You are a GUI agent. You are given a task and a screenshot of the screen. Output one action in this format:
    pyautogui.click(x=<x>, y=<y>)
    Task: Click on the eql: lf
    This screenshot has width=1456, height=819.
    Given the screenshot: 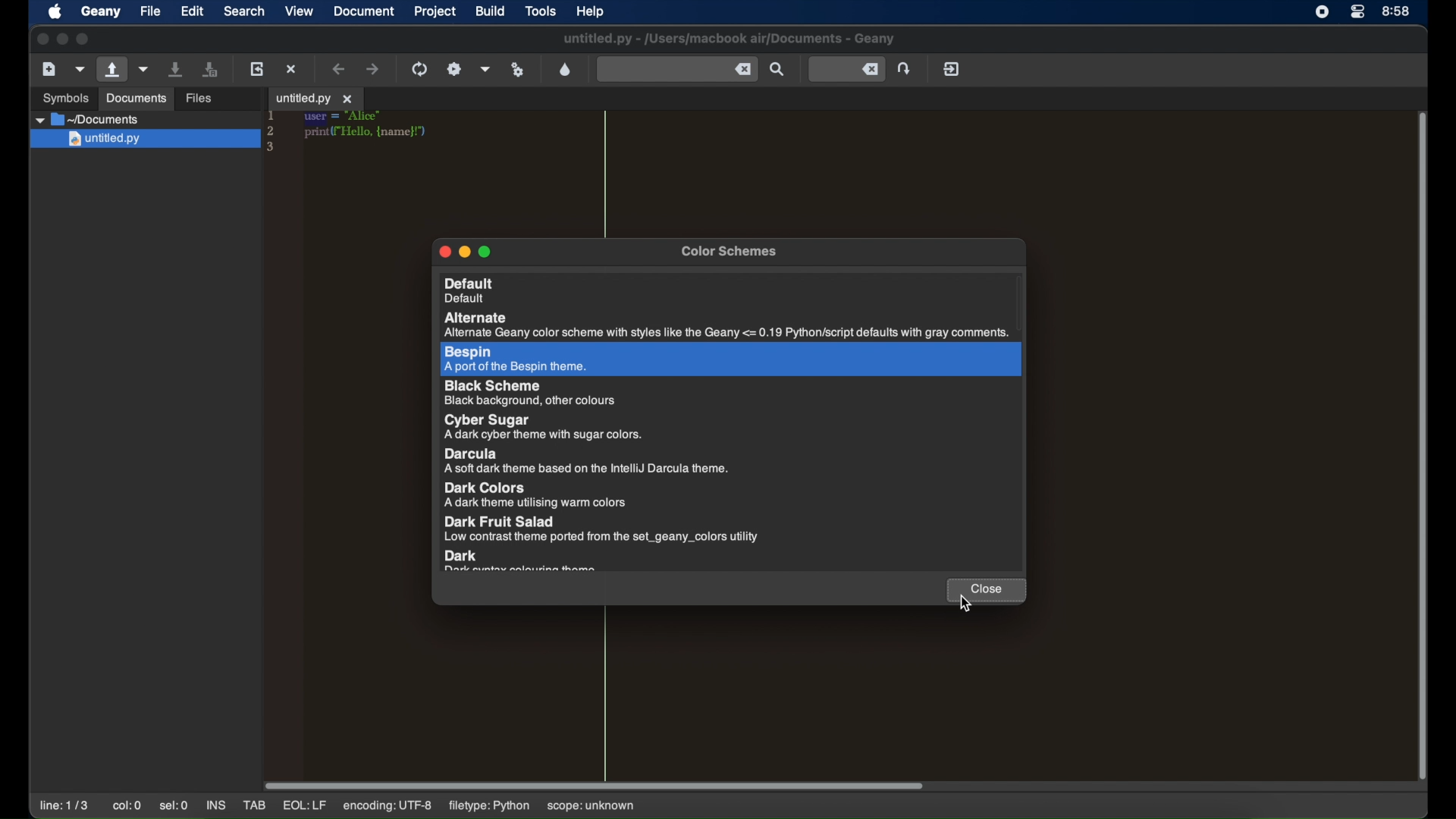 What is the action you would take?
    pyautogui.click(x=305, y=805)
    